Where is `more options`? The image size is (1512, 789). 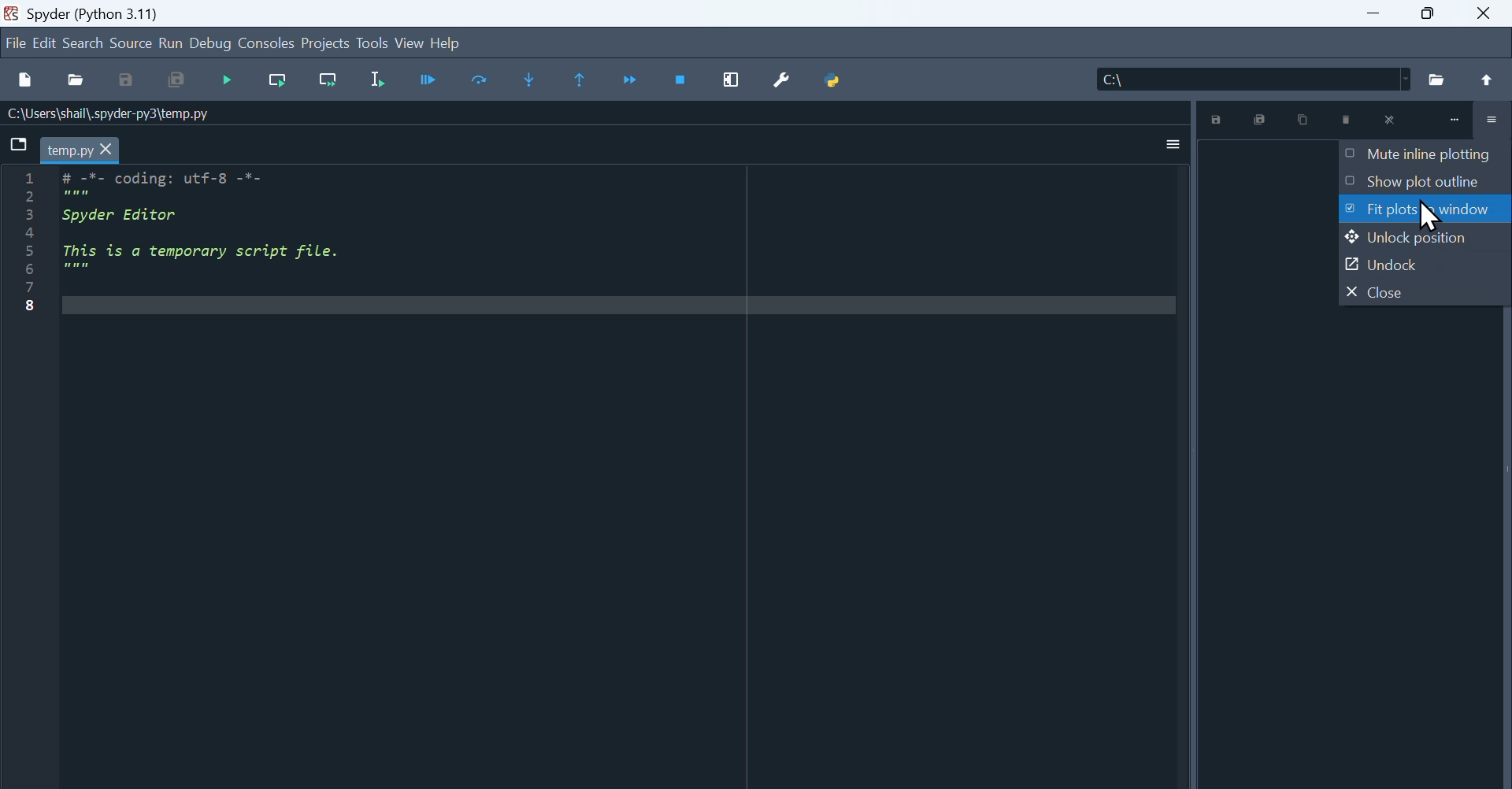
more options is located at coordinates (1488, 120).